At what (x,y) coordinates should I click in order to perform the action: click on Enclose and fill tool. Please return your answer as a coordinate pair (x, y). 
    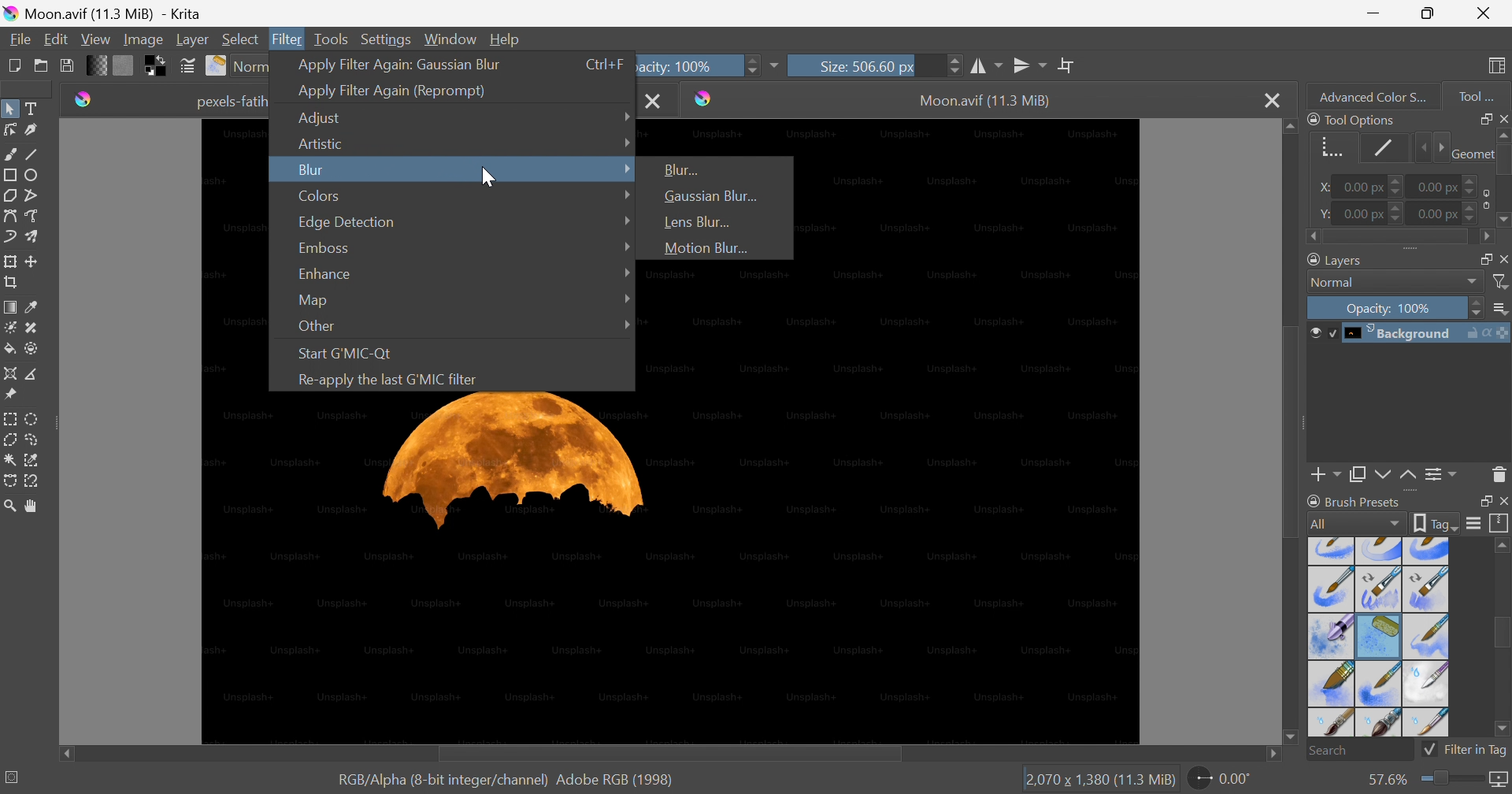
    Looking at the image, I should click on (31, 350).